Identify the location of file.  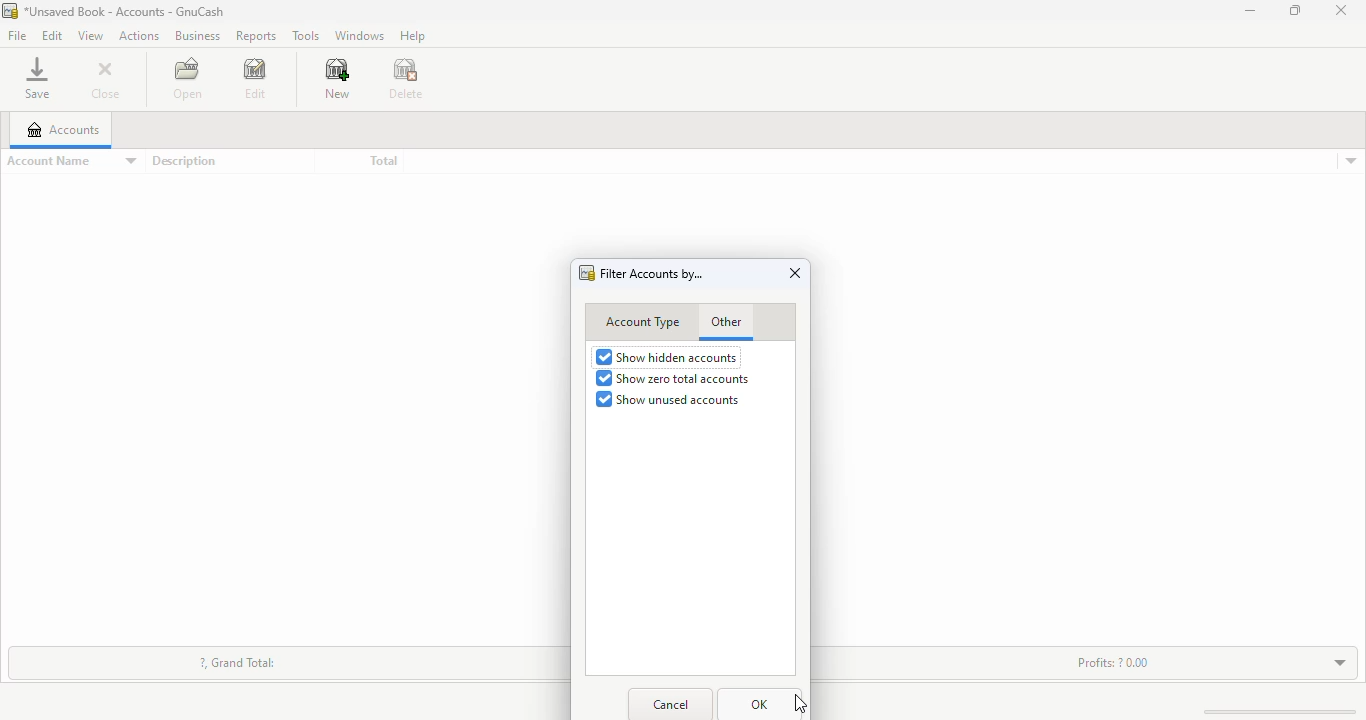
(16, 37).